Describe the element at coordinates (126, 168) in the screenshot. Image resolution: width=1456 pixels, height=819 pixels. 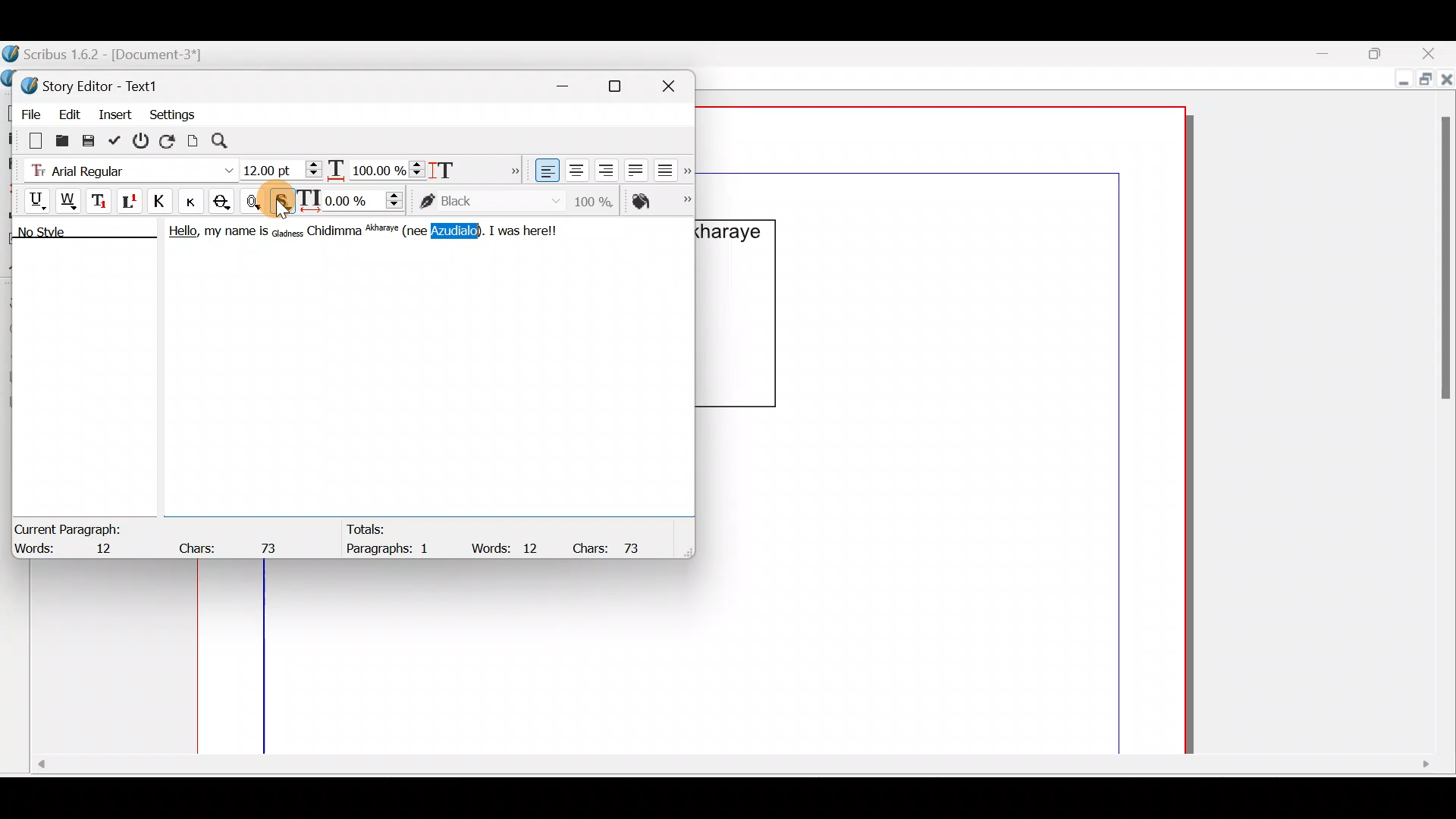
I see `Font type - Arial Regular` at that location.